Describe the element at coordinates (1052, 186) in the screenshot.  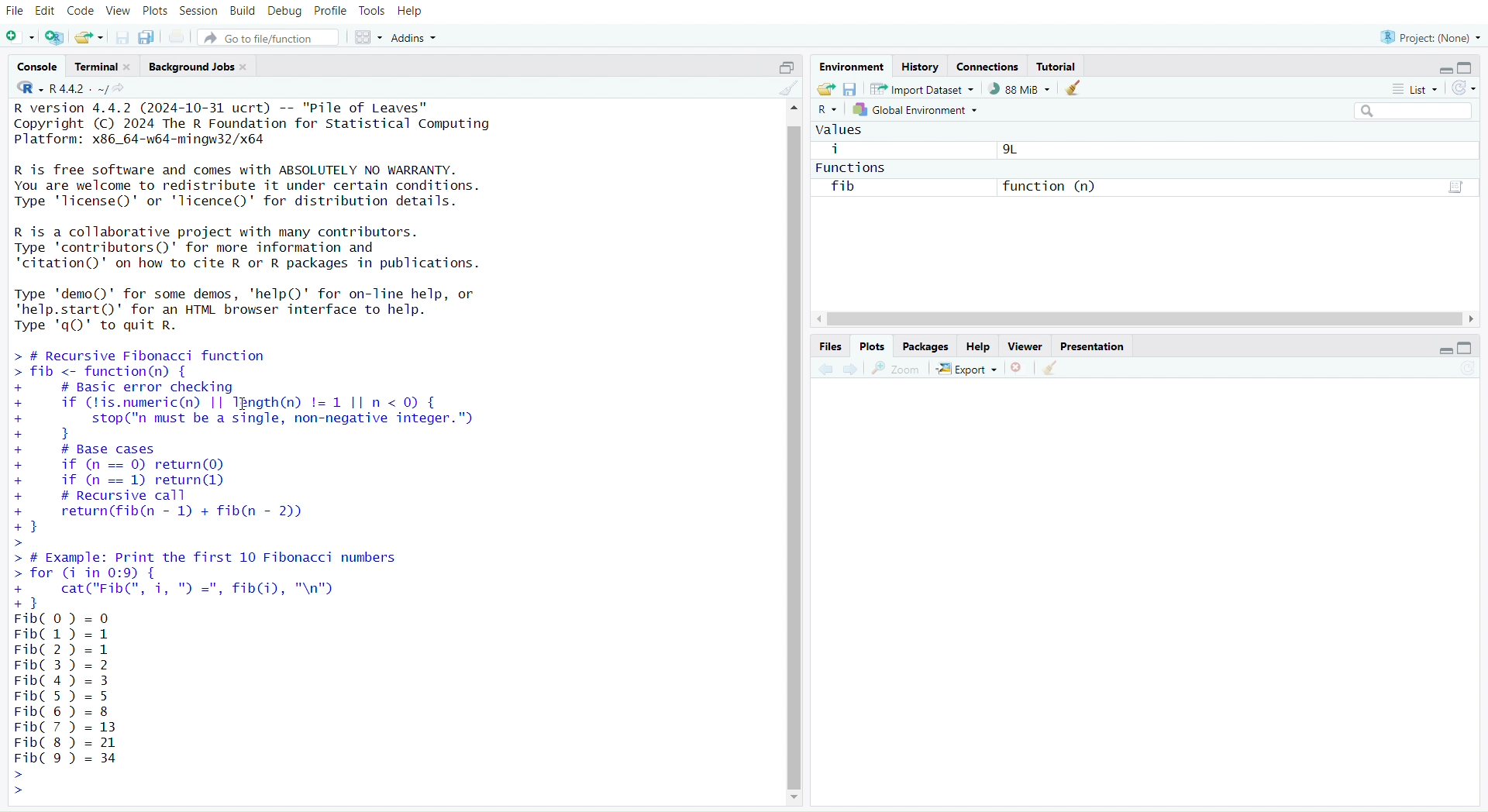
I see `function(n)` at that location.